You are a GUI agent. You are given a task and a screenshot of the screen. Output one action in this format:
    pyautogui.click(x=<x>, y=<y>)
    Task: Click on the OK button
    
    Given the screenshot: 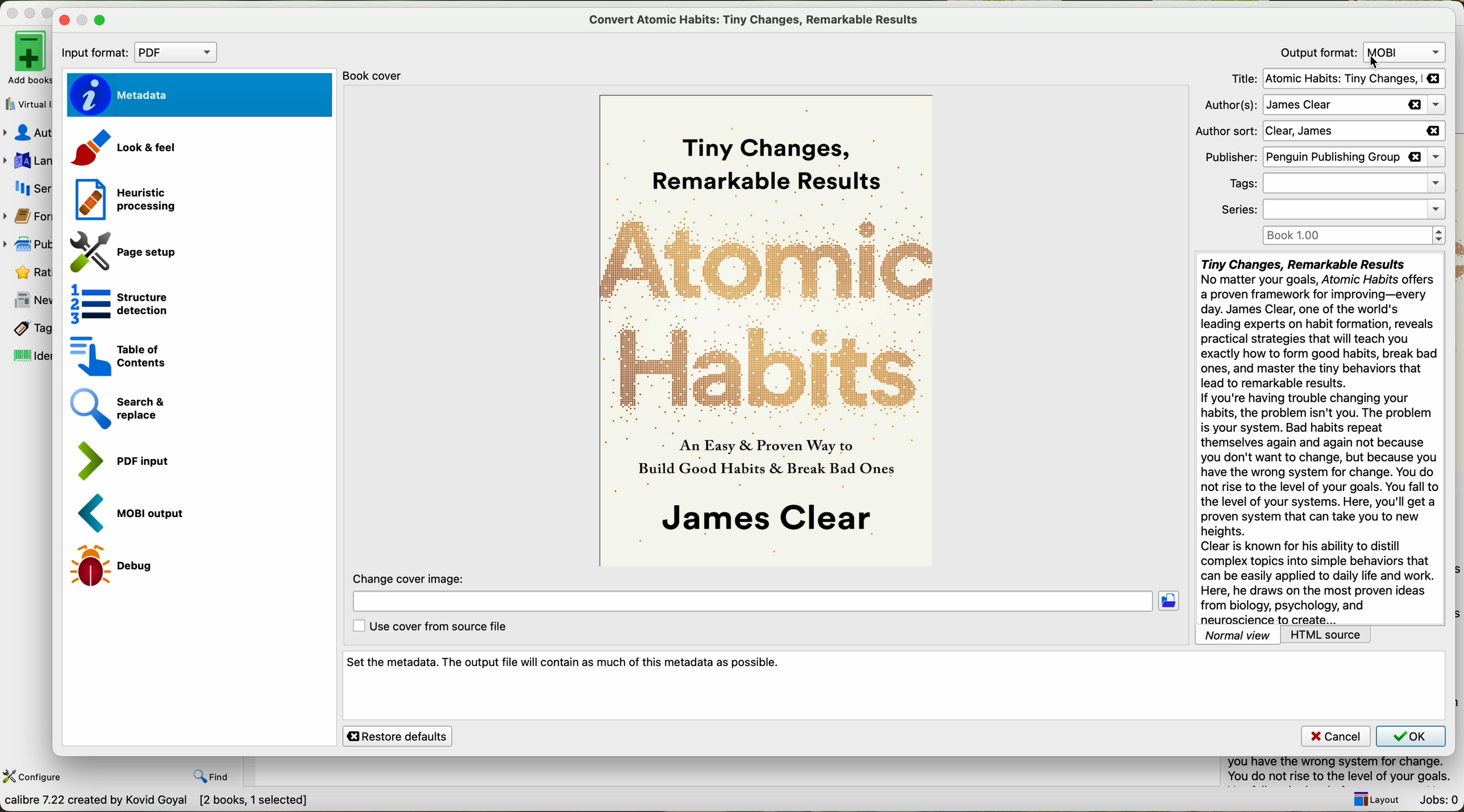 What is the action you would take?
    pyautogui.click(x=1411, y=736)
    